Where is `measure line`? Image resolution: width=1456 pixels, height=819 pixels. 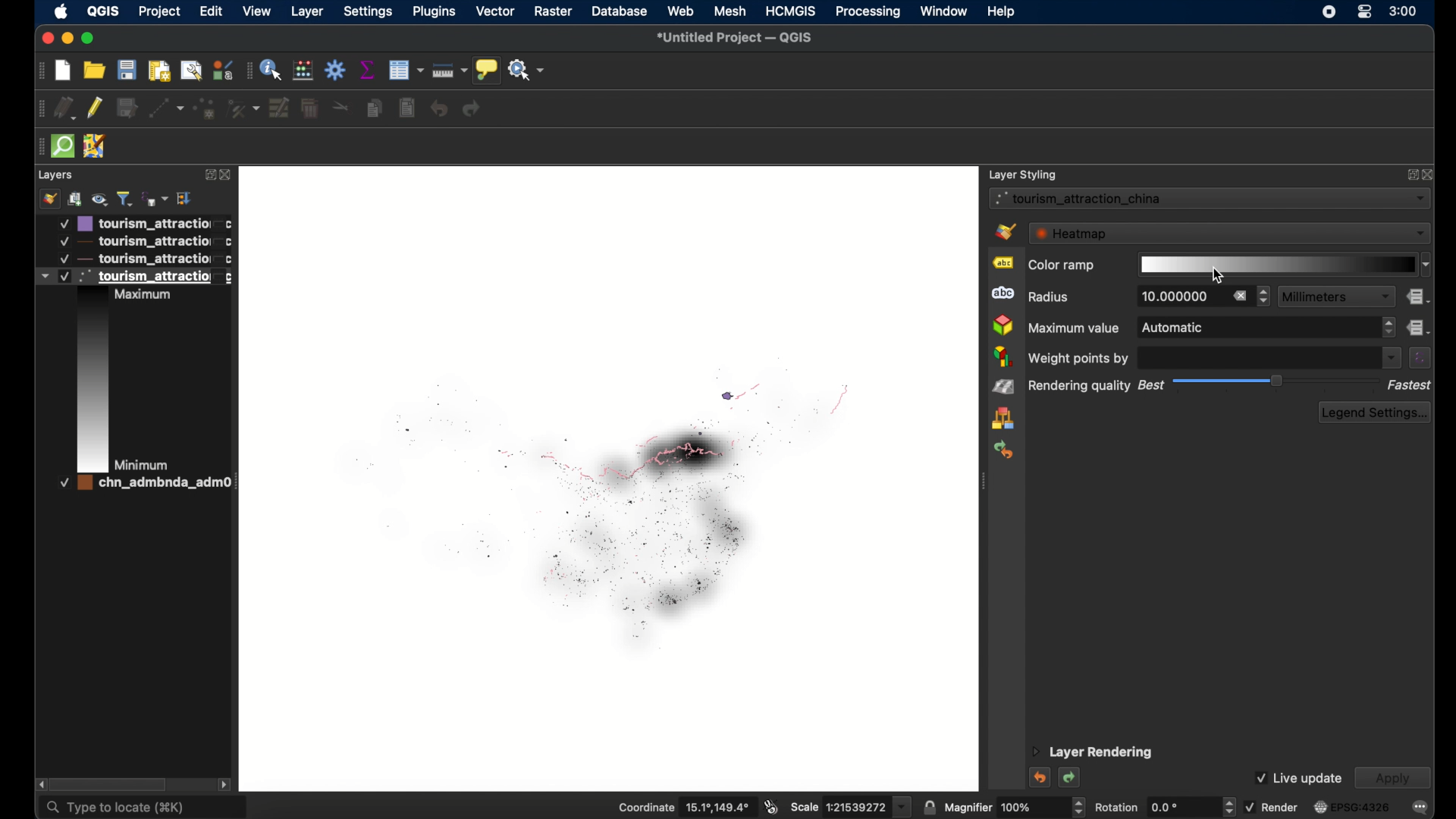
measure line is located at coordinates (450, 71).